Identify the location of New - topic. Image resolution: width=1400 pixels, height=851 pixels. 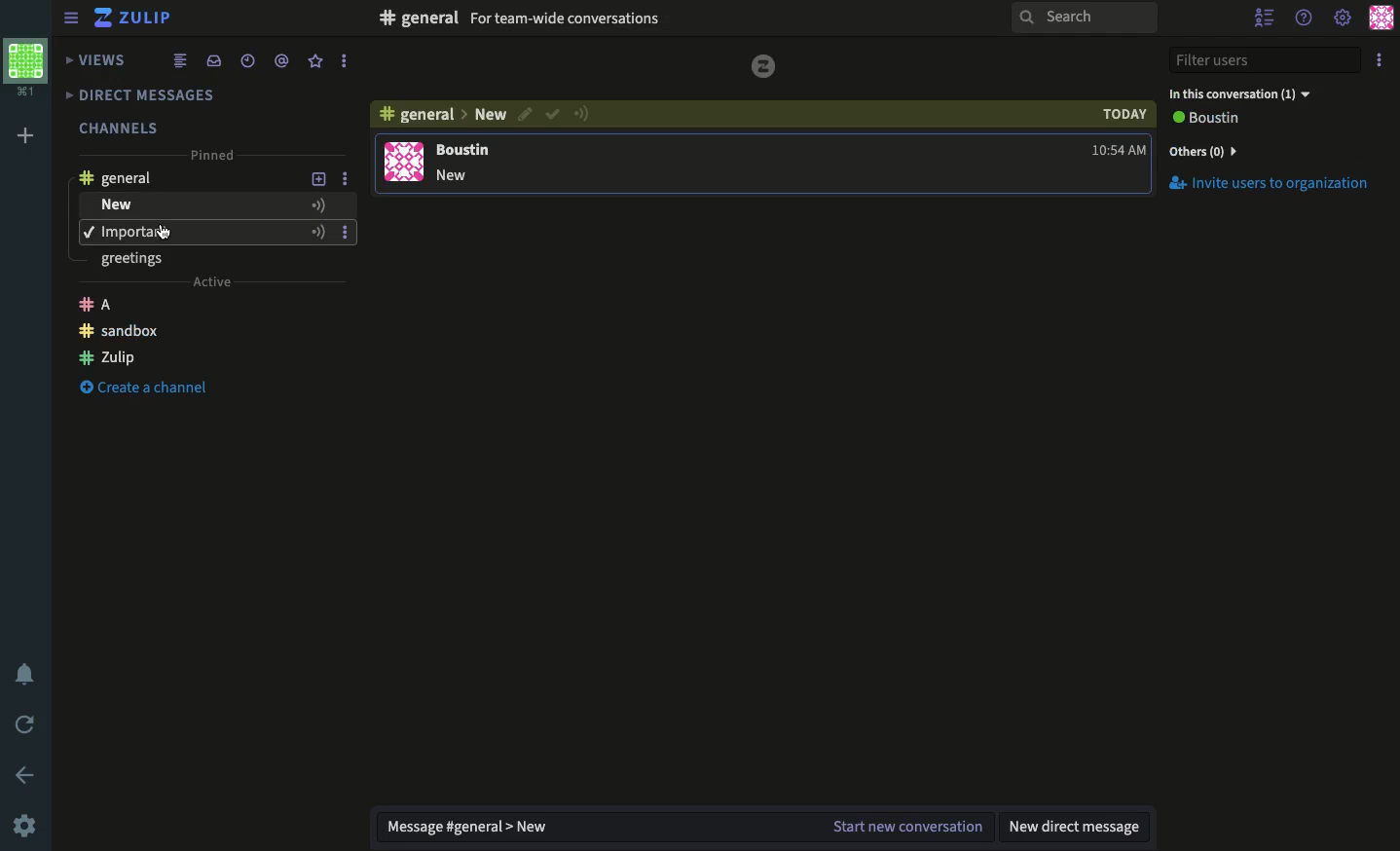
(194, 205).